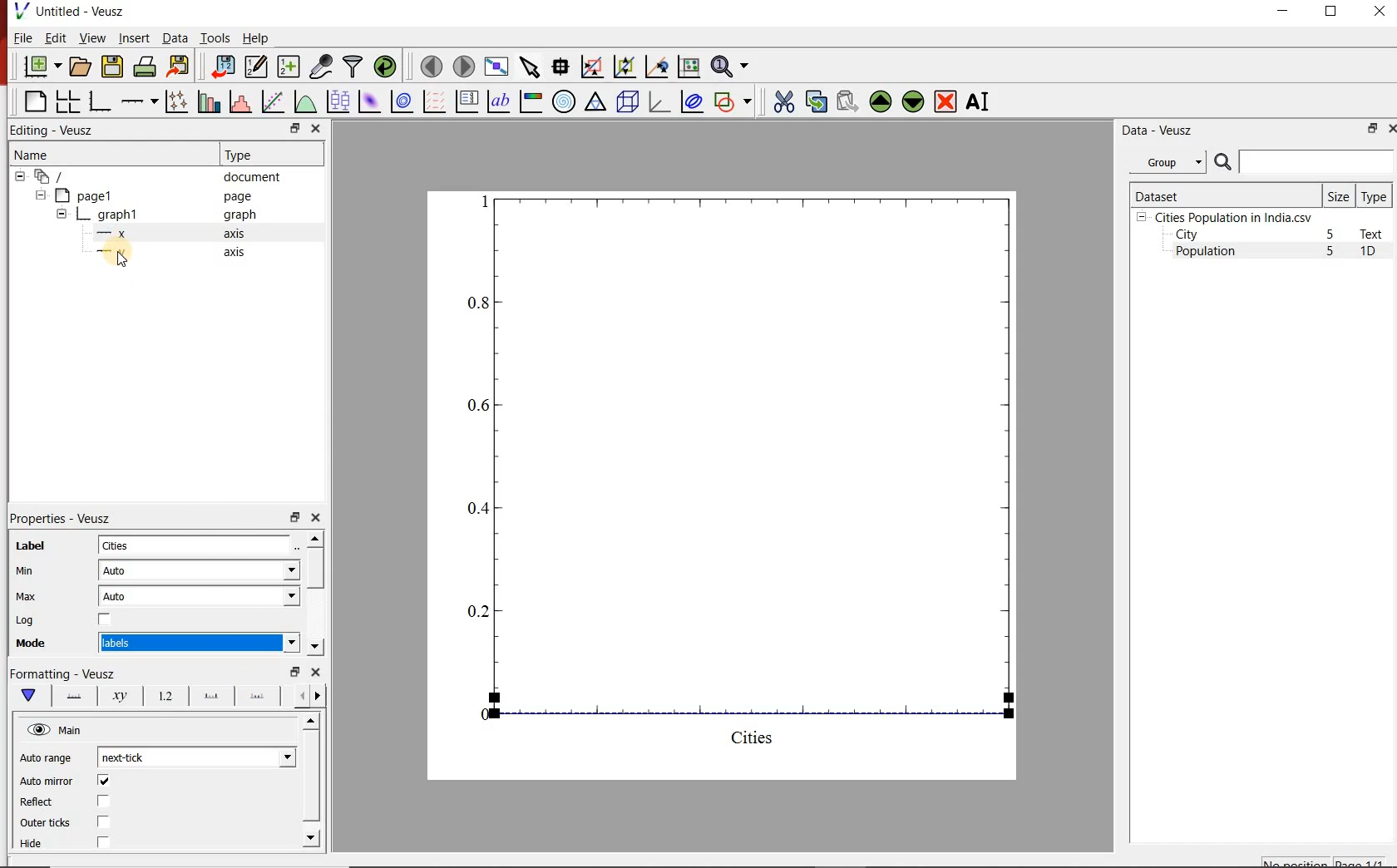 This screenshot has height=868, width=1397. Describe the element at coordinates (118, 263) in the screenshot. I see `cursor` at that location.